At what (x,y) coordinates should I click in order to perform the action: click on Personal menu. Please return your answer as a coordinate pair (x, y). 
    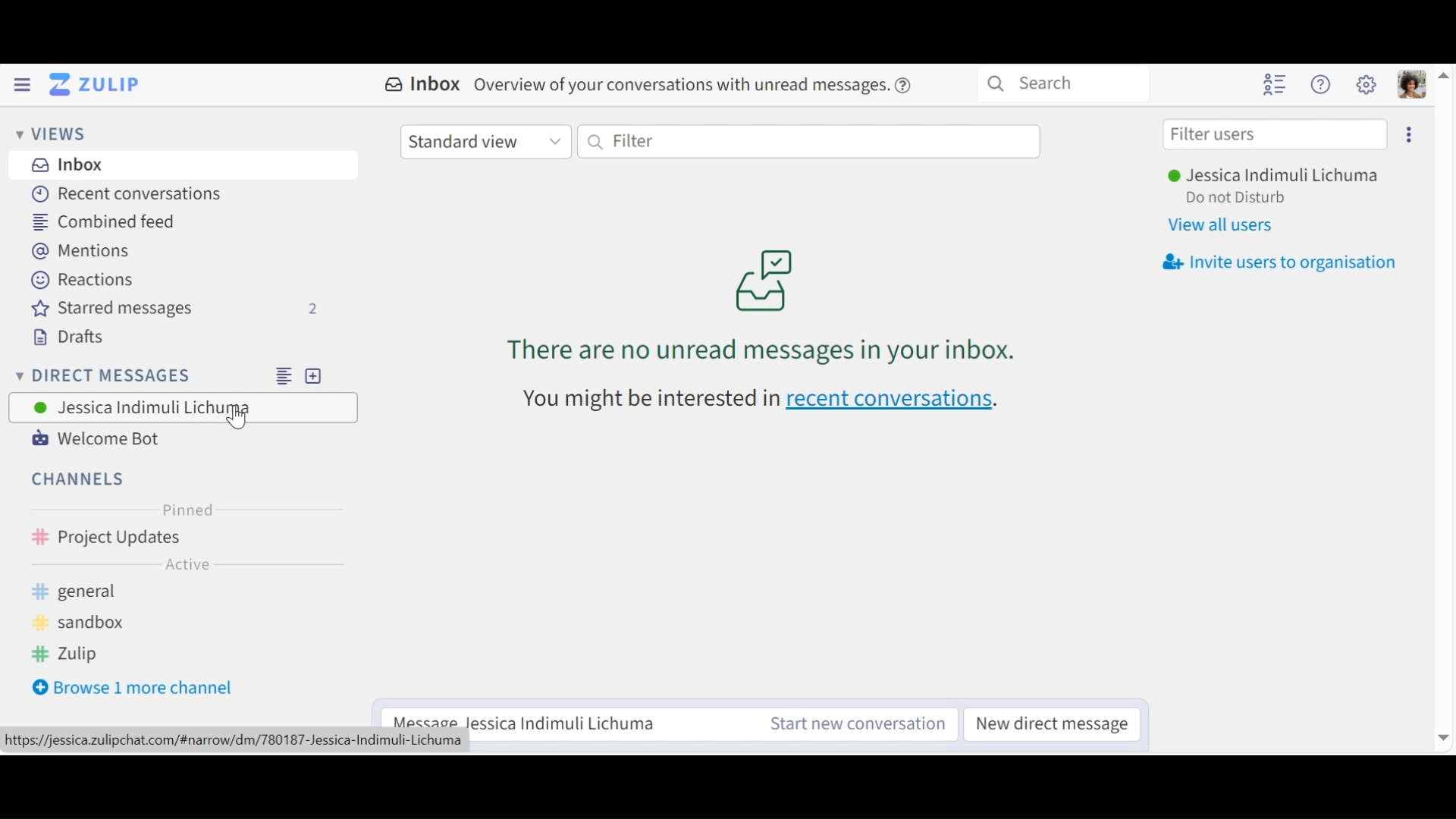
    Looking at the image, I should click on (1412, 84).